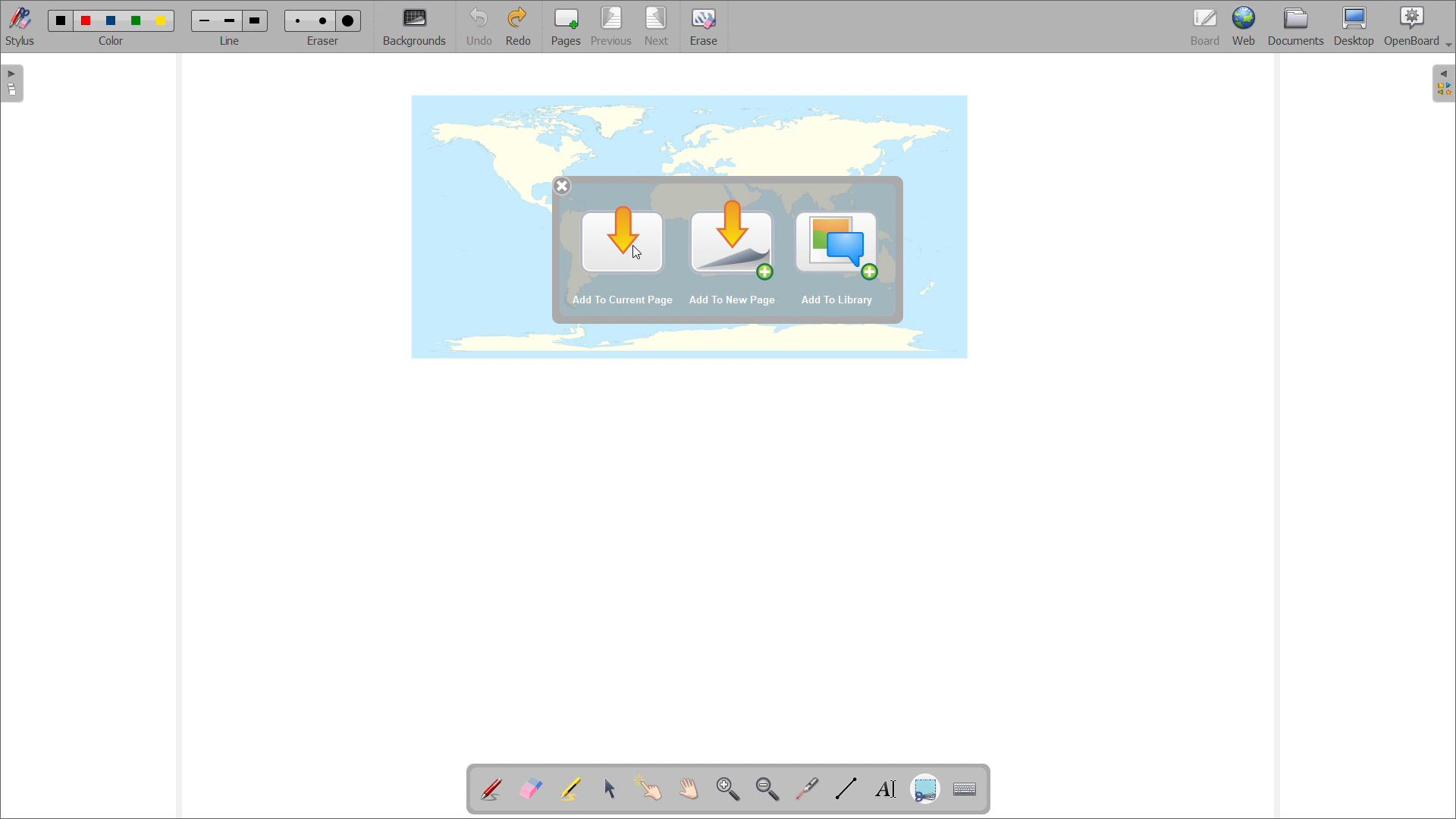 The image size is (1456, 819). What do you see at coordinates (415, 27) in the screenshot?
I see `backgrounds` at bounding box center [415, 27].